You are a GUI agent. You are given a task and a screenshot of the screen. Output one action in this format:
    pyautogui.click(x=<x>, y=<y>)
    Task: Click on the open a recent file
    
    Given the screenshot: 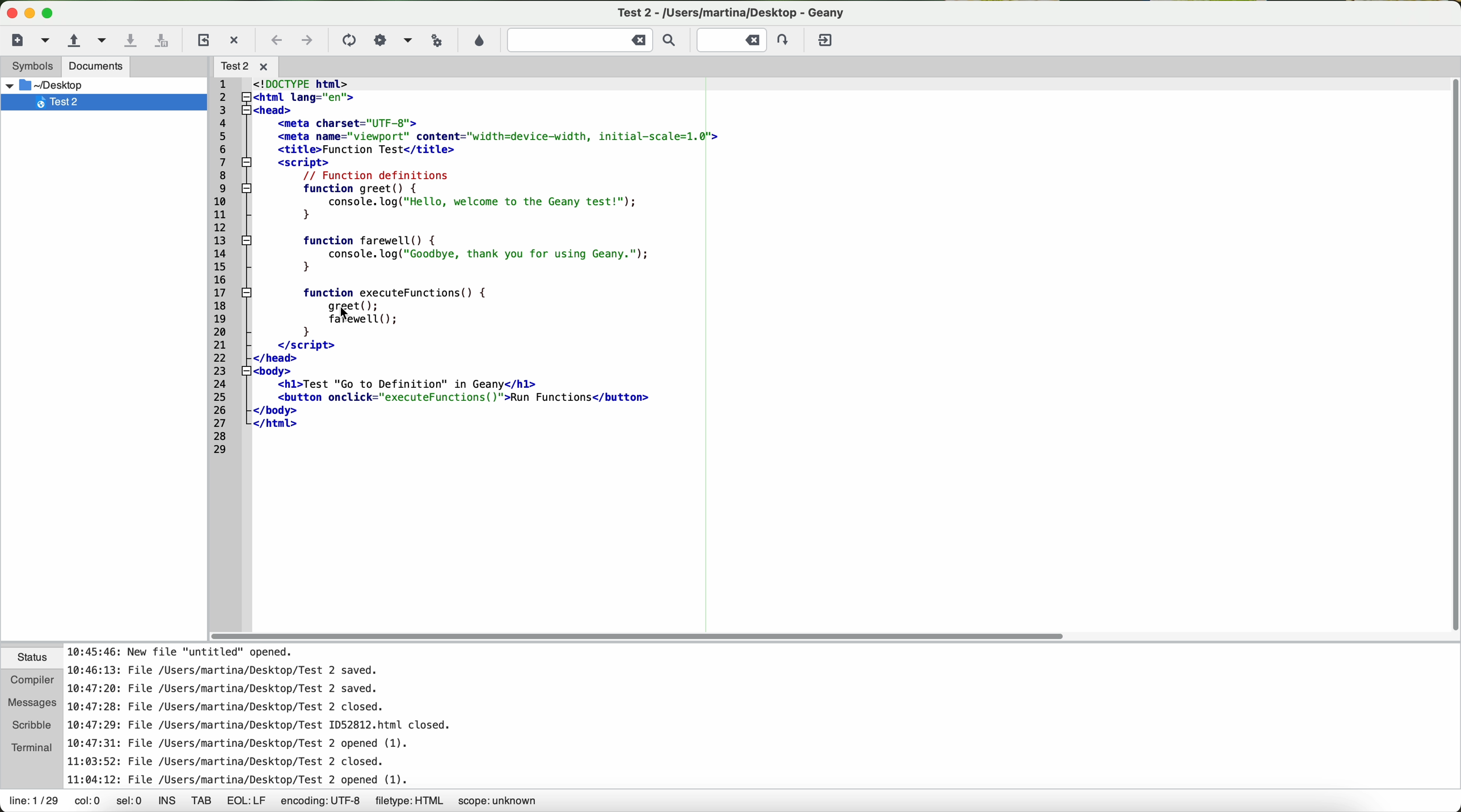 What is the action you would take?
    pyautogui.click(x=103, y=42)
    